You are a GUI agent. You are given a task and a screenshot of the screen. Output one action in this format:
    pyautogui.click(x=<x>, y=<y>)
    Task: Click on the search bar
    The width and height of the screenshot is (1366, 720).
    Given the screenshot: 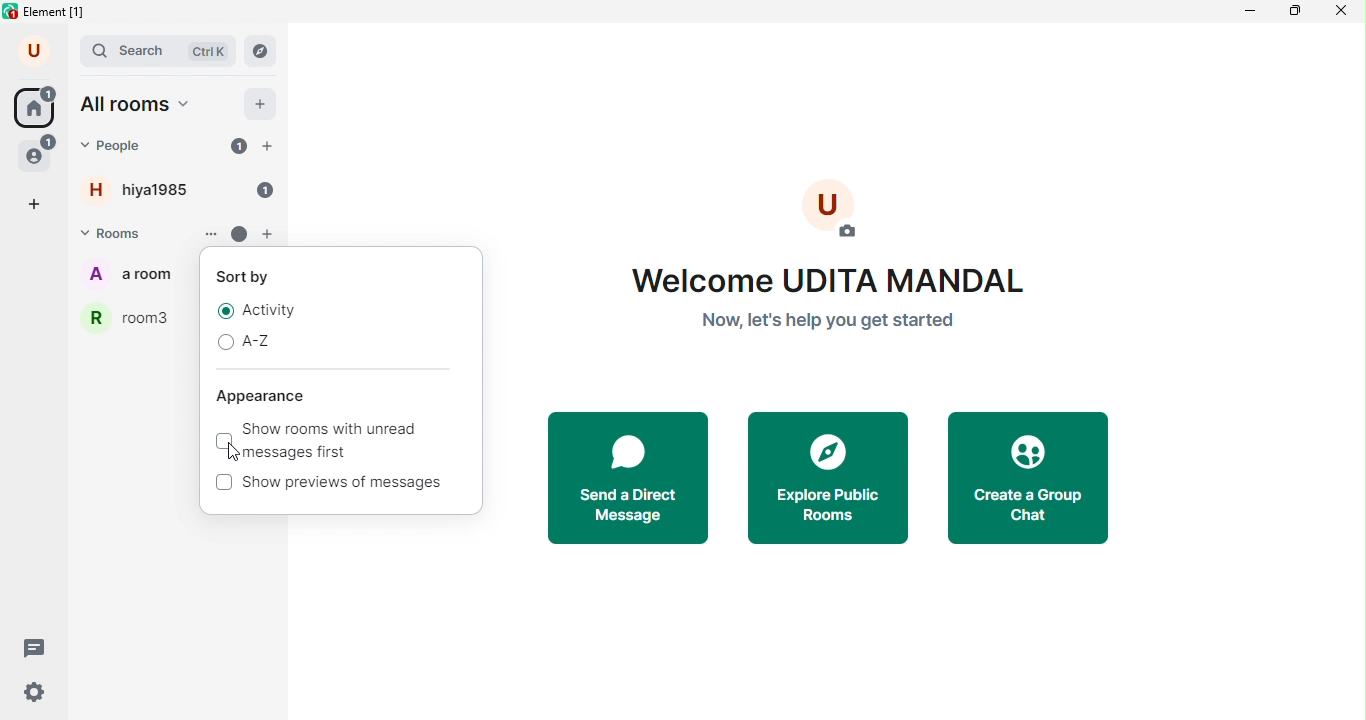 What is the action you would take?
    pyautogui.click(x=161, y=52)
    